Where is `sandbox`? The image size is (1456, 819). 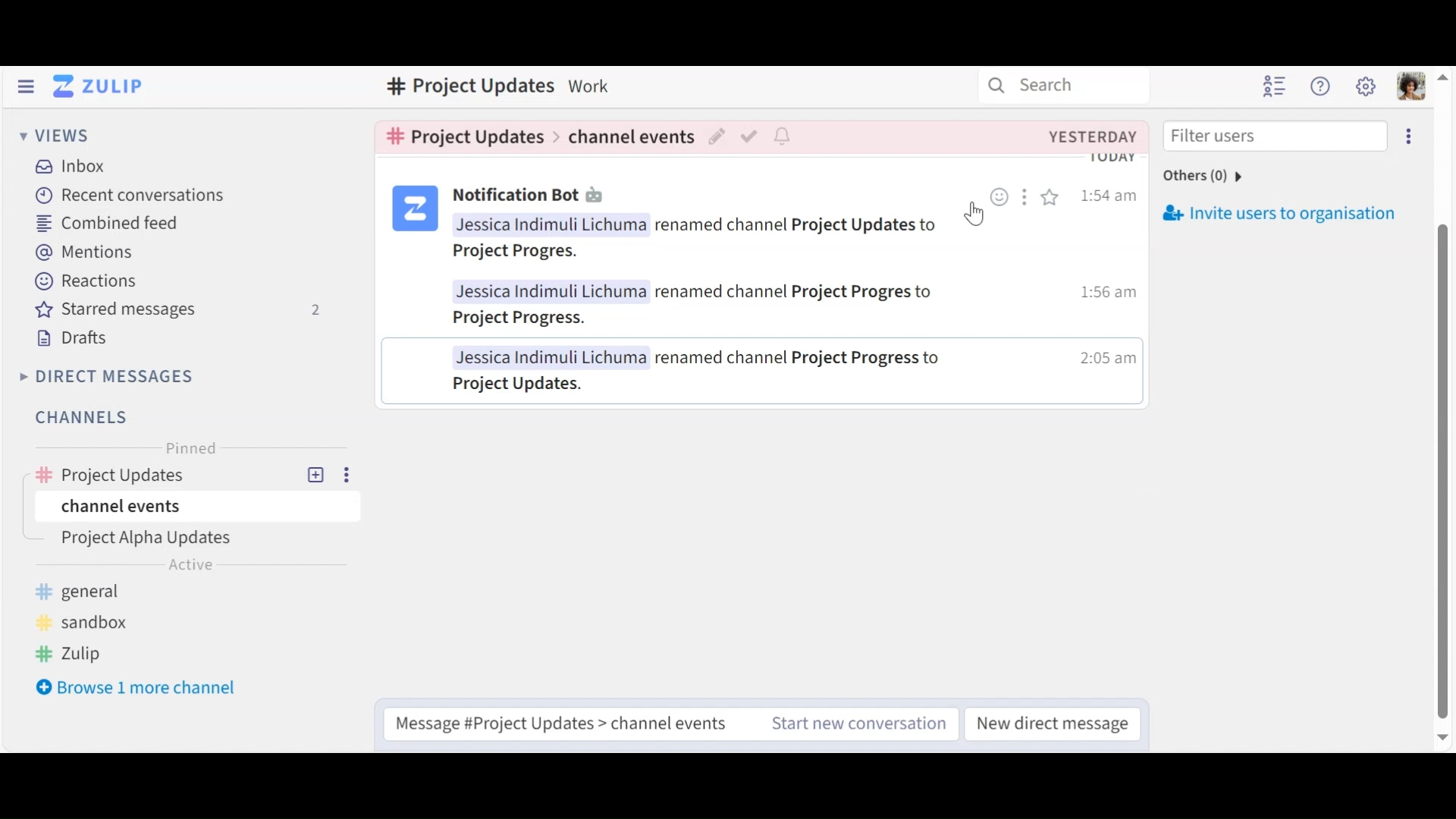
sandbox is located at coordinates (87, 620).